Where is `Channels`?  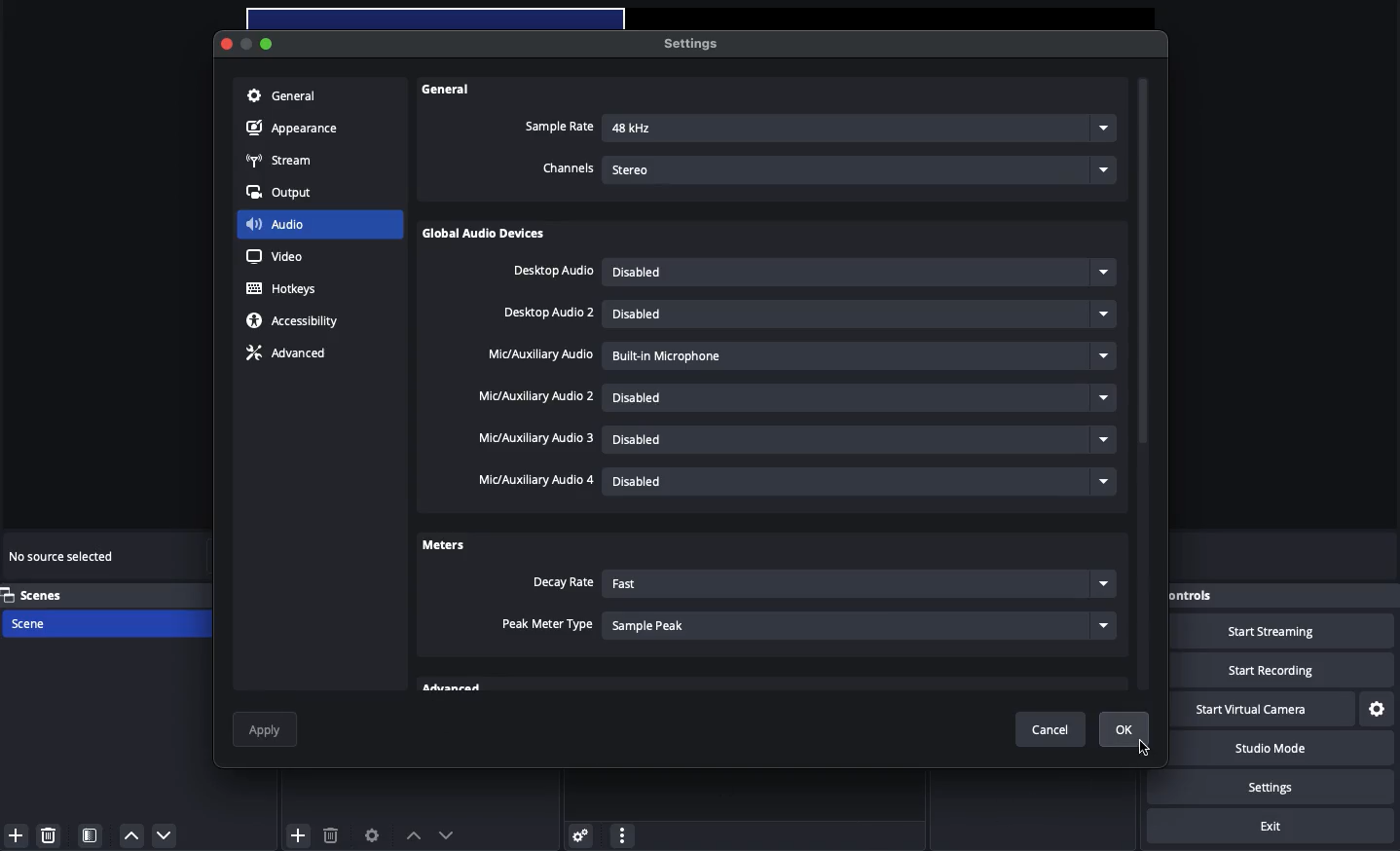 Channels is located at coordinates (569, 169).